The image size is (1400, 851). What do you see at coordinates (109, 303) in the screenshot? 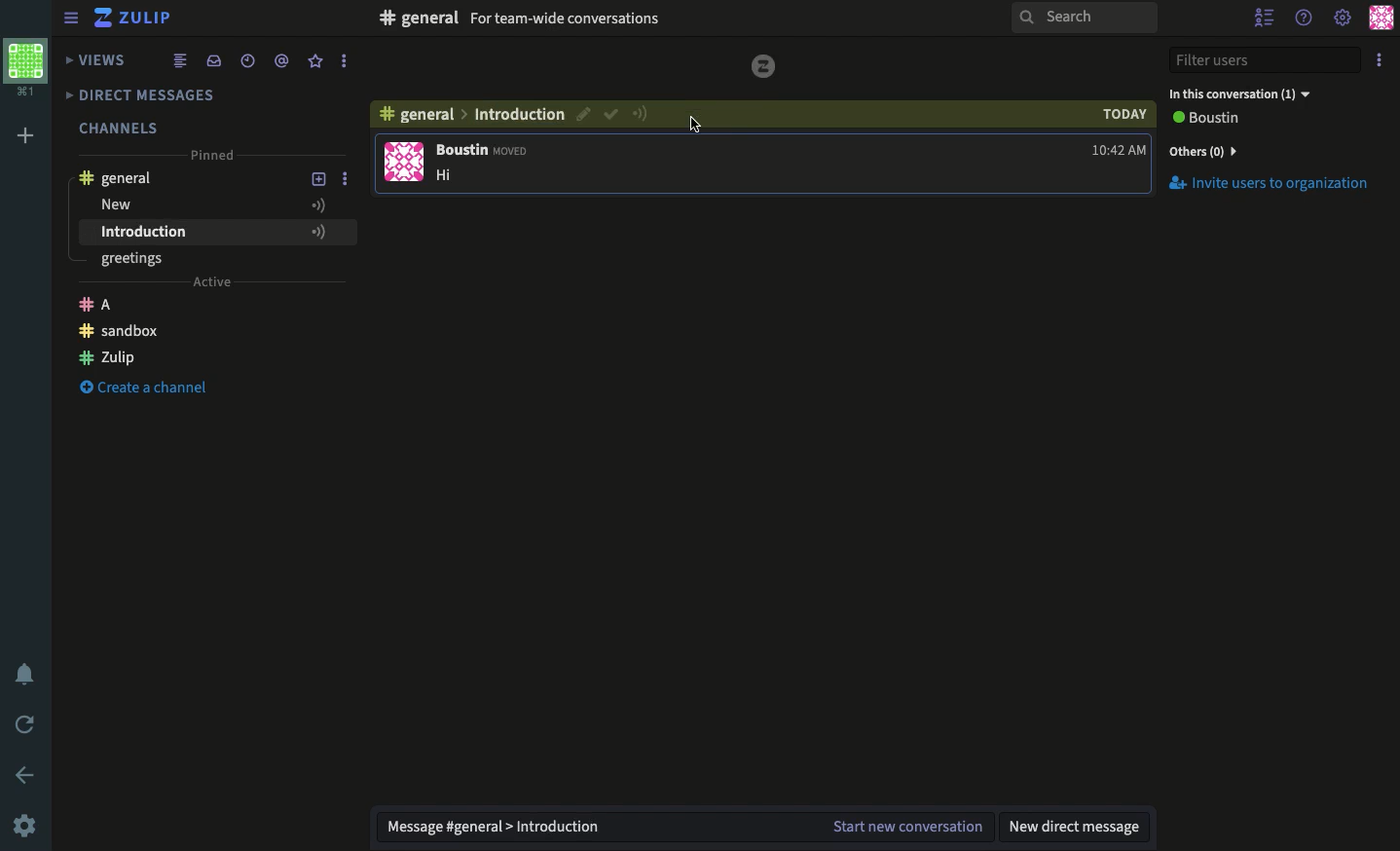
I see `Zulip` at bounding box center [109, 303].